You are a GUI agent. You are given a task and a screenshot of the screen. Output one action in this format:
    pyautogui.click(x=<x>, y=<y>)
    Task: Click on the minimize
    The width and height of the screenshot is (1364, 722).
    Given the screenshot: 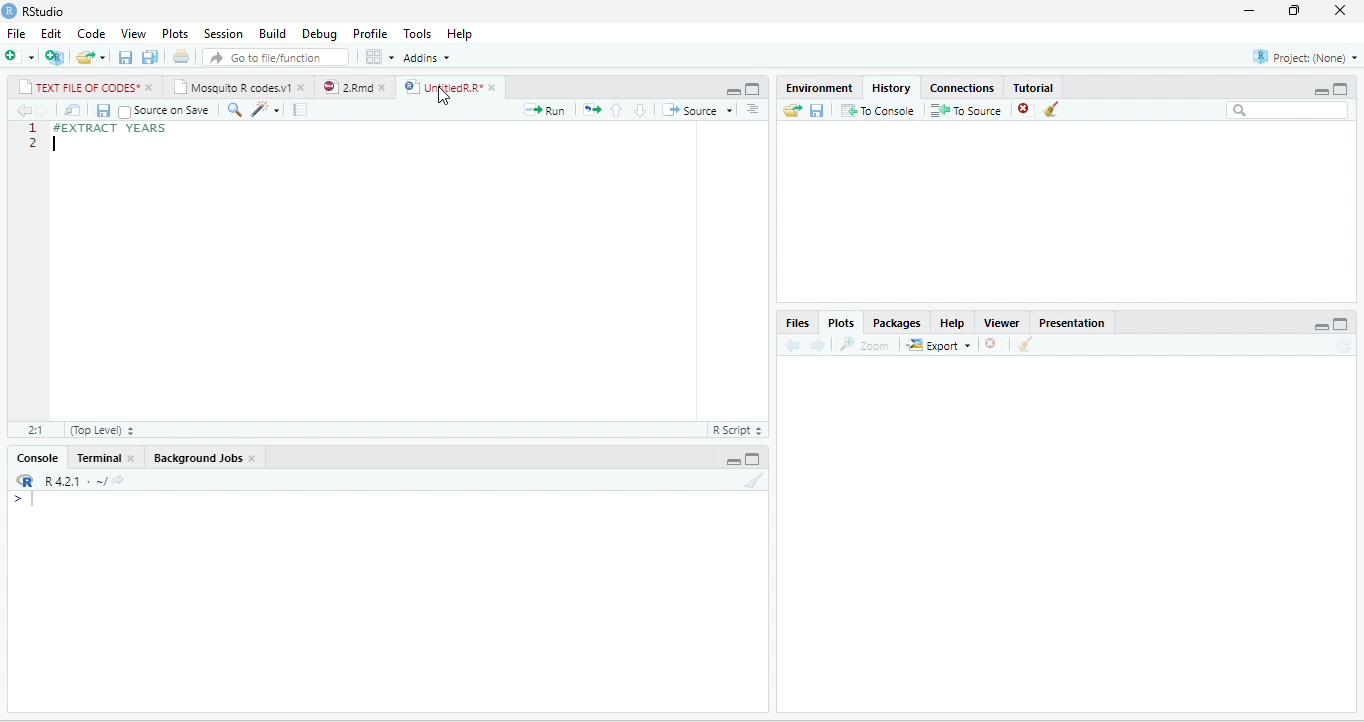 What is the action you would take?
    pyautogui.click(x=733, y=462)
    